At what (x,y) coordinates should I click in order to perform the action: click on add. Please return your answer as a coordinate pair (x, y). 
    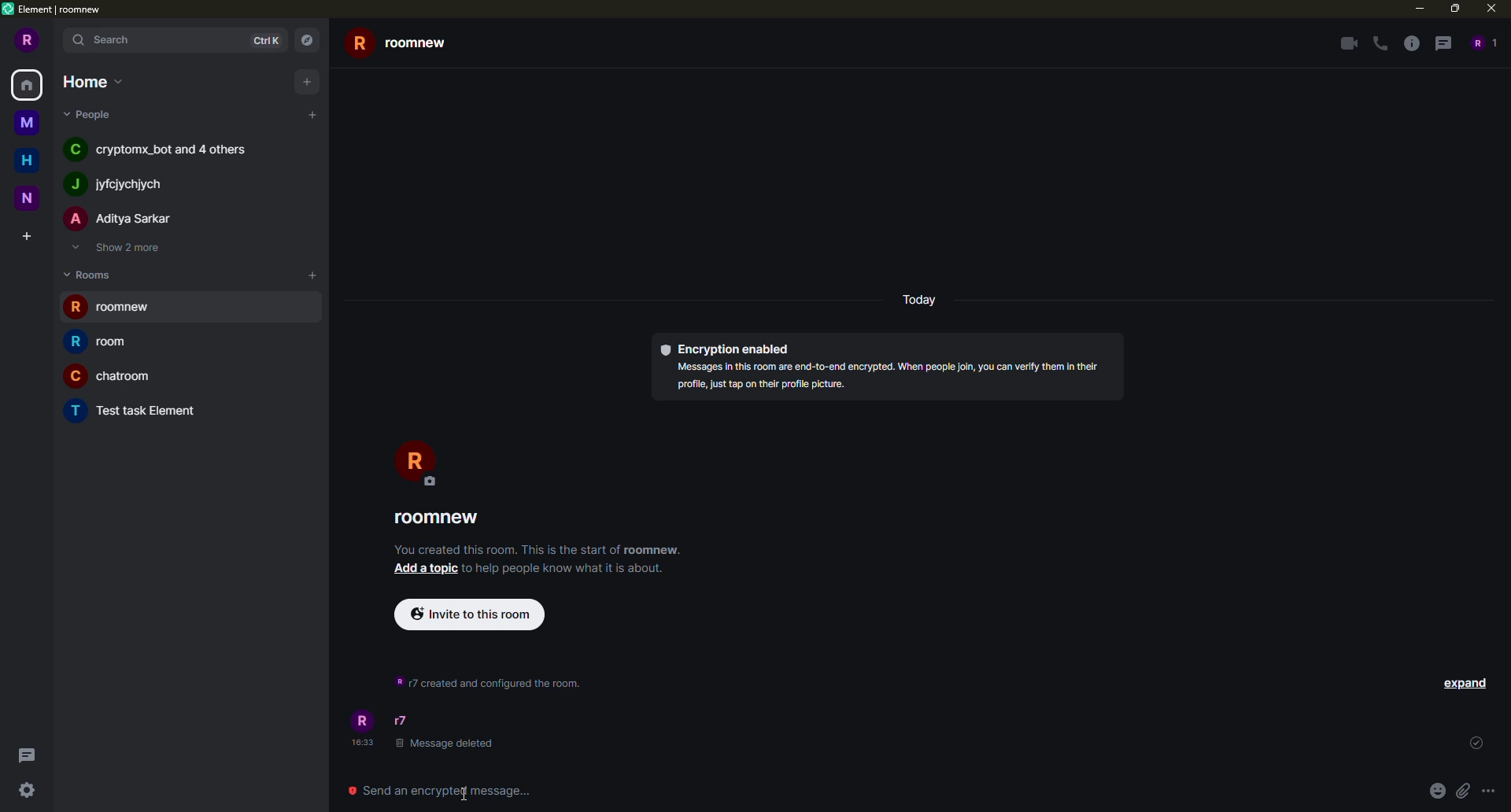
    Looking at the image, I should click on (308, 274).